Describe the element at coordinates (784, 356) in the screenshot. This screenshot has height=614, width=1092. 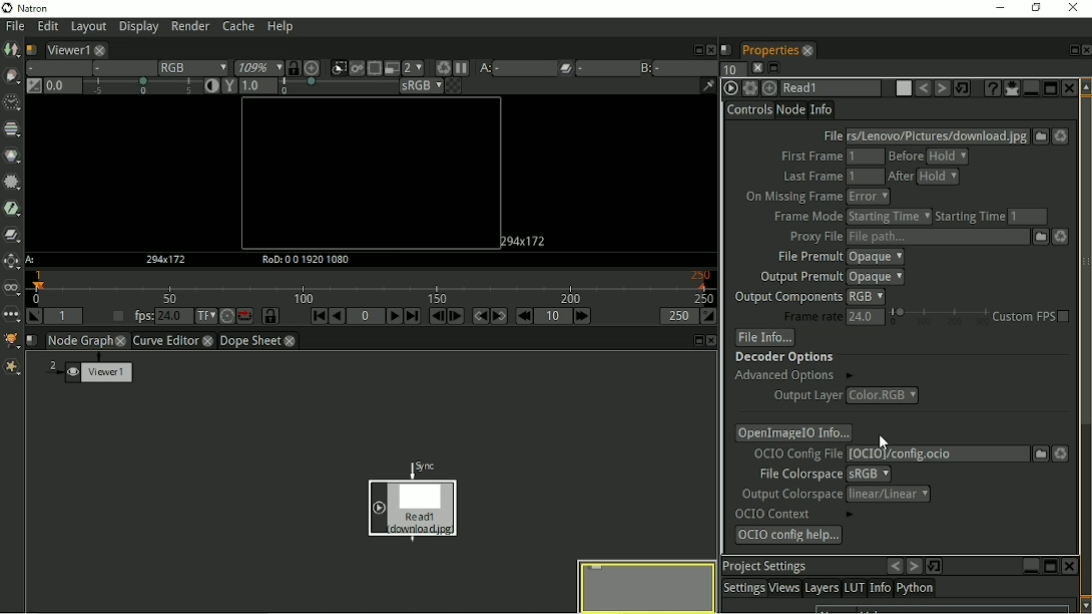
I see `Decoder options` at that location.